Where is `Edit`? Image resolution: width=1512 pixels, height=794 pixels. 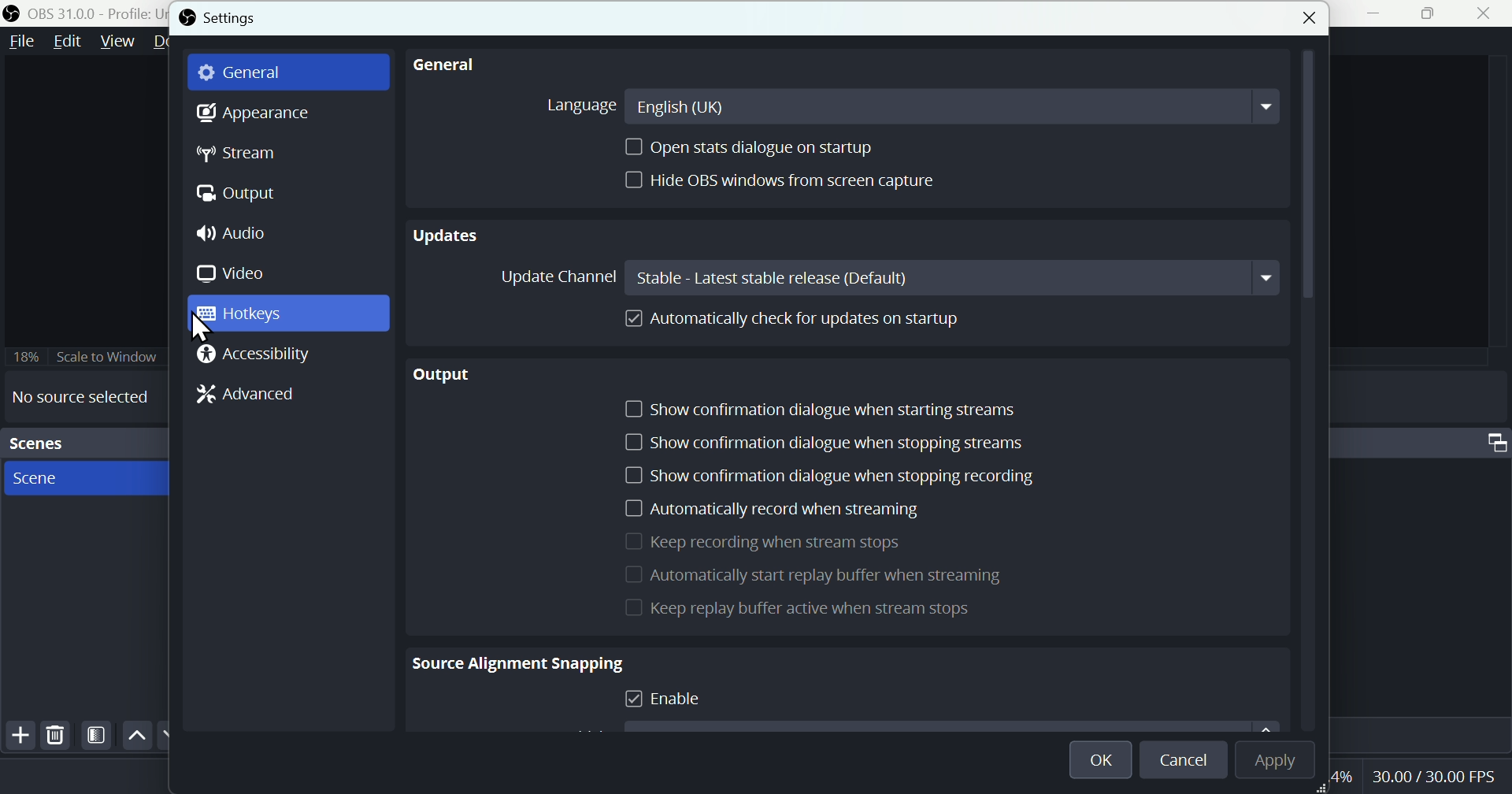
Edit is located at coordinates (67, 44).